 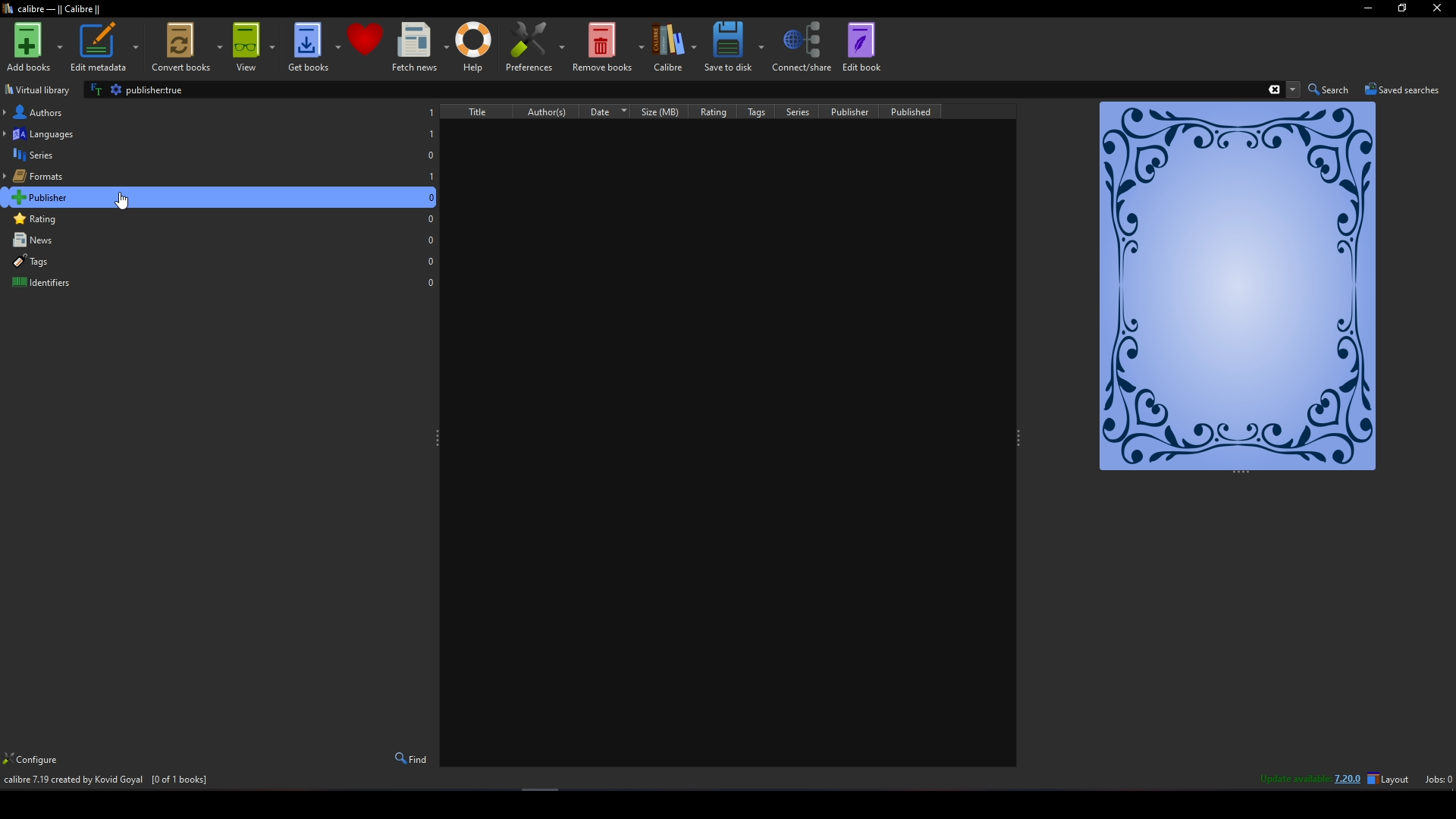 What do you see at coordinates (438, 439) in the screenshot?
I see `Left panel slider` at bounding box center [438, 439].